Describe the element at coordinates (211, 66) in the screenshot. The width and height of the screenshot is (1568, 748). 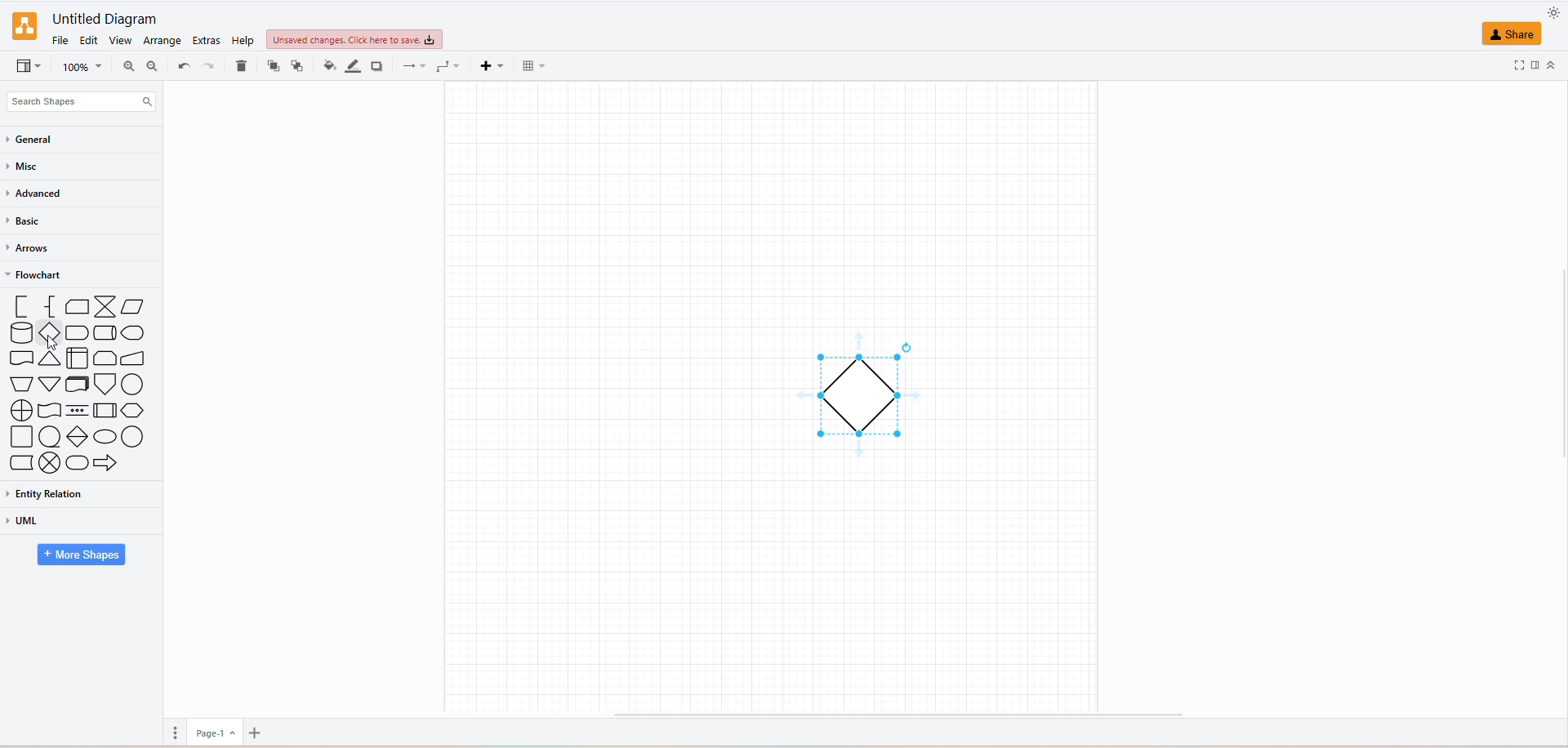
I see `UNDO` at that location.